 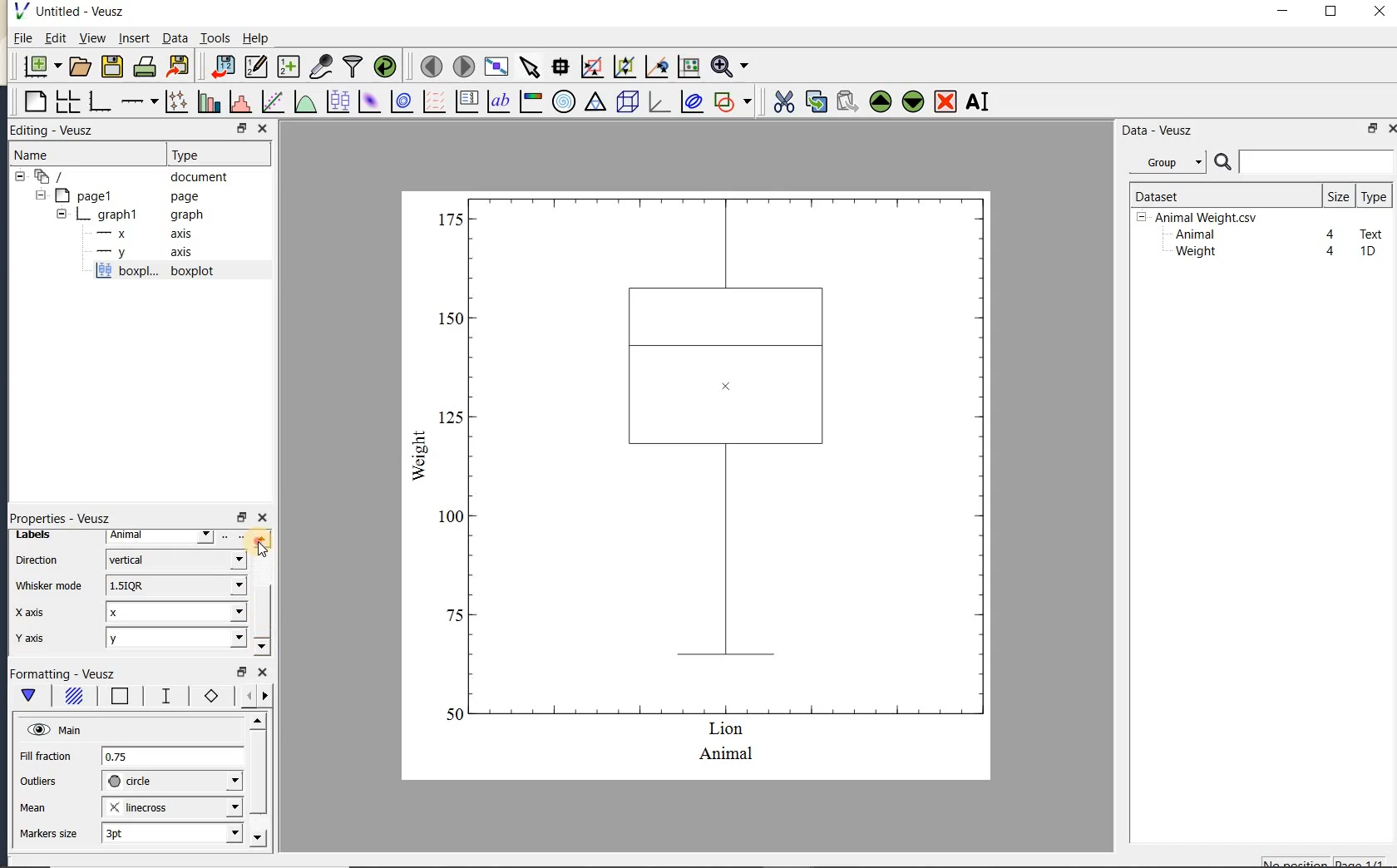 I want to click on restore, so click(x=243, y=673).